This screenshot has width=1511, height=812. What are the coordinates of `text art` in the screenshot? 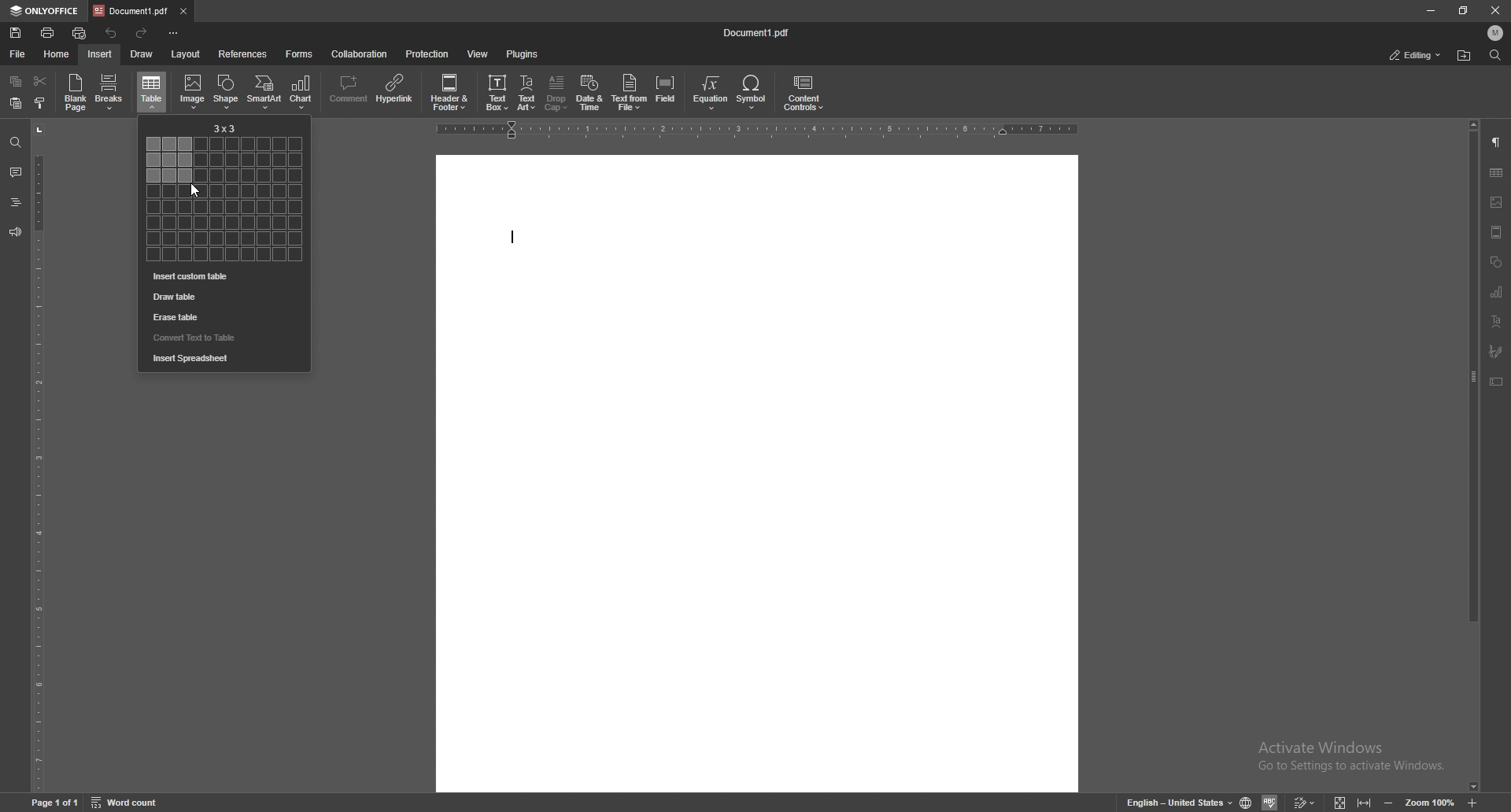 It's located at (1498, 322).